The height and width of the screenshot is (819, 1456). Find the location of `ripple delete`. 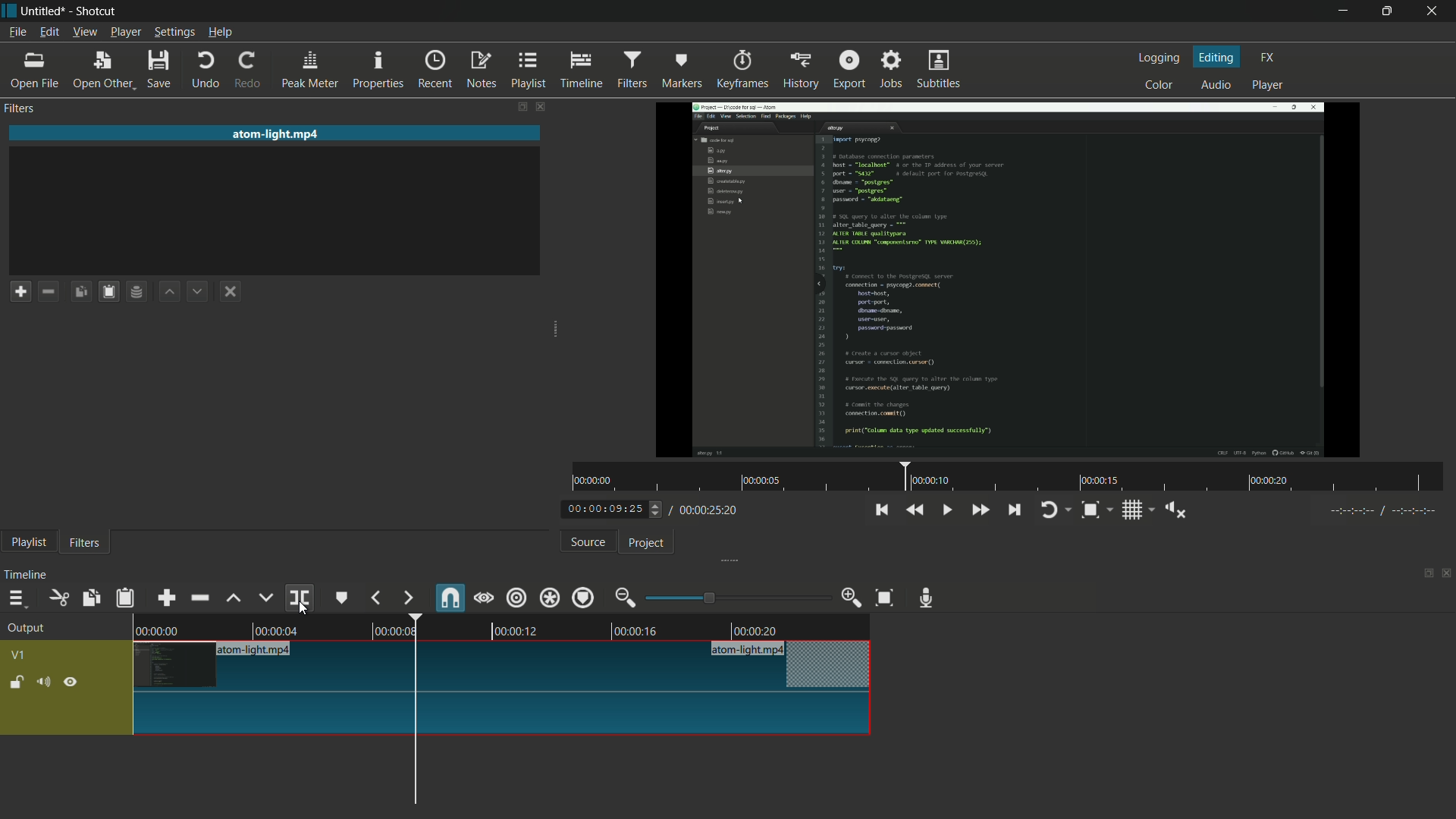

ripple delete is located at coordinates (199, 597).